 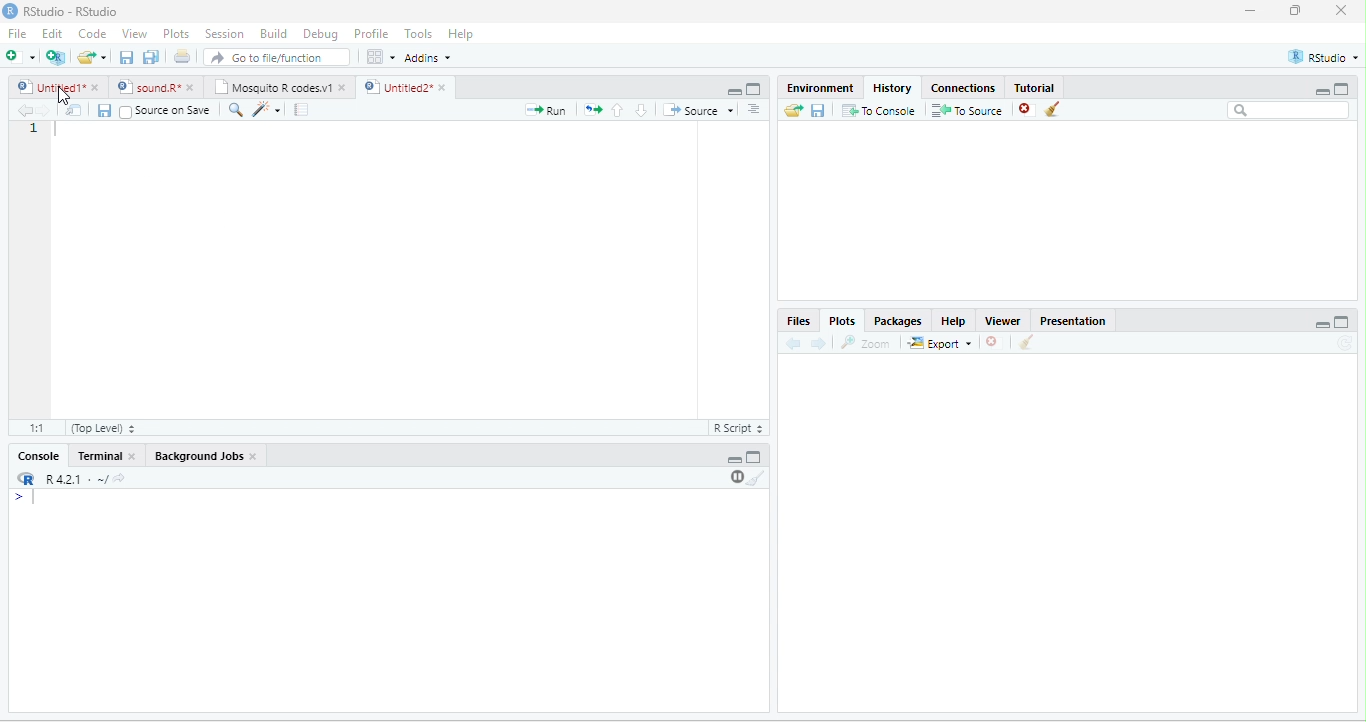 I want to click on Profile, so click(x=373, y=34).